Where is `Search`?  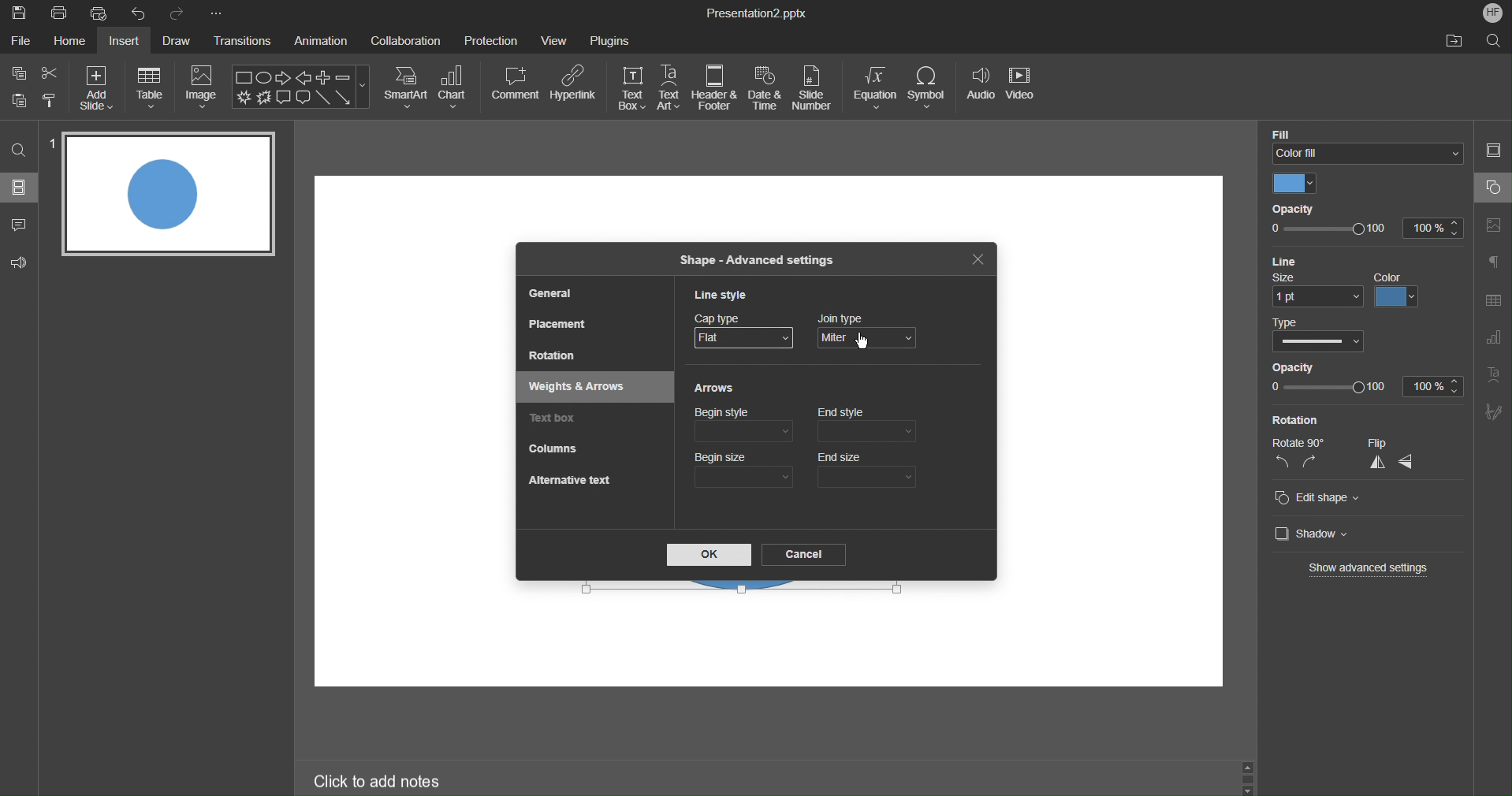 Search is located at coordinates (19, 149).